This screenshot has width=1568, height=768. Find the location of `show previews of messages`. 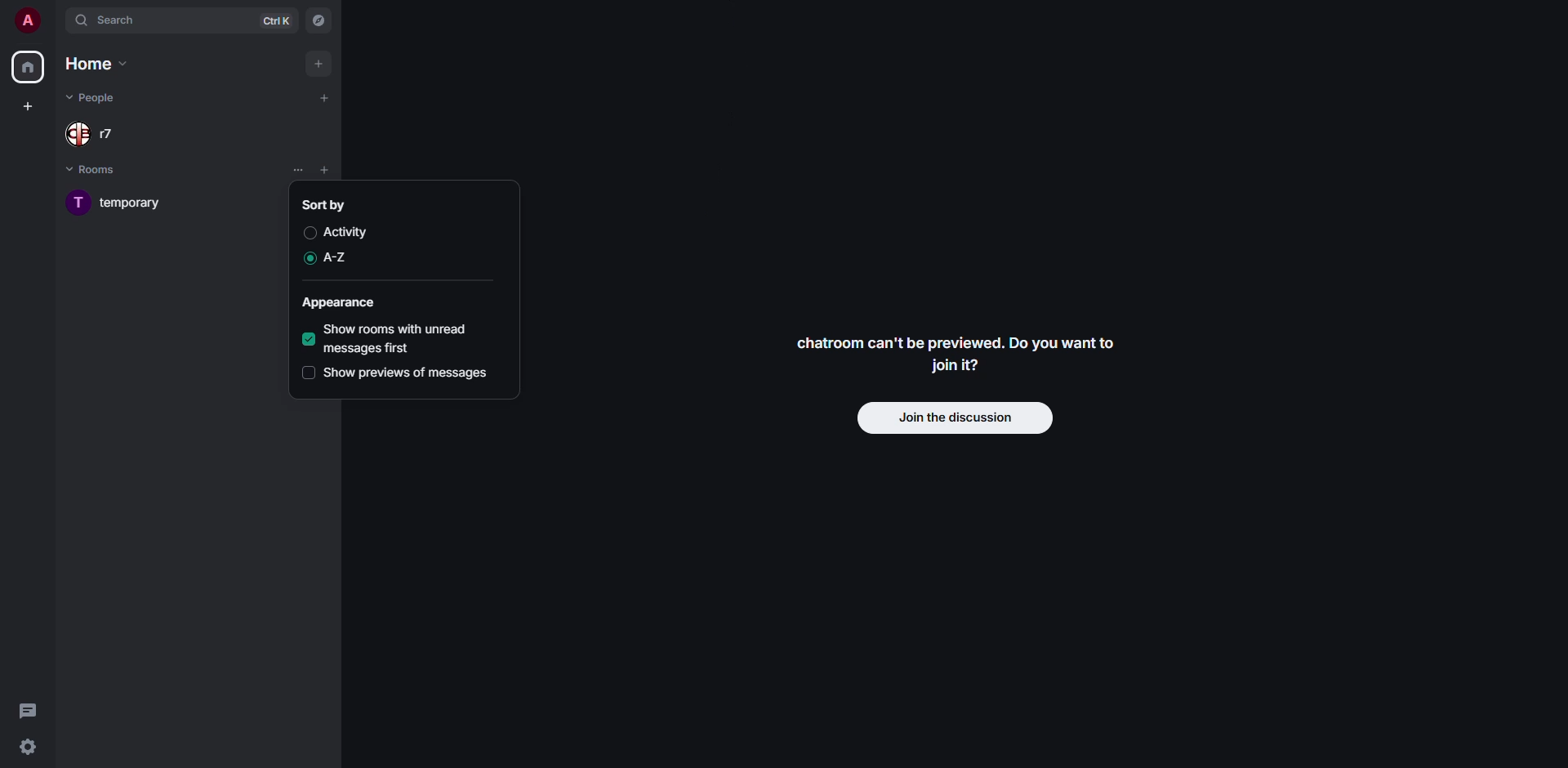

show previews of messages is located at coordinates (410, 373).